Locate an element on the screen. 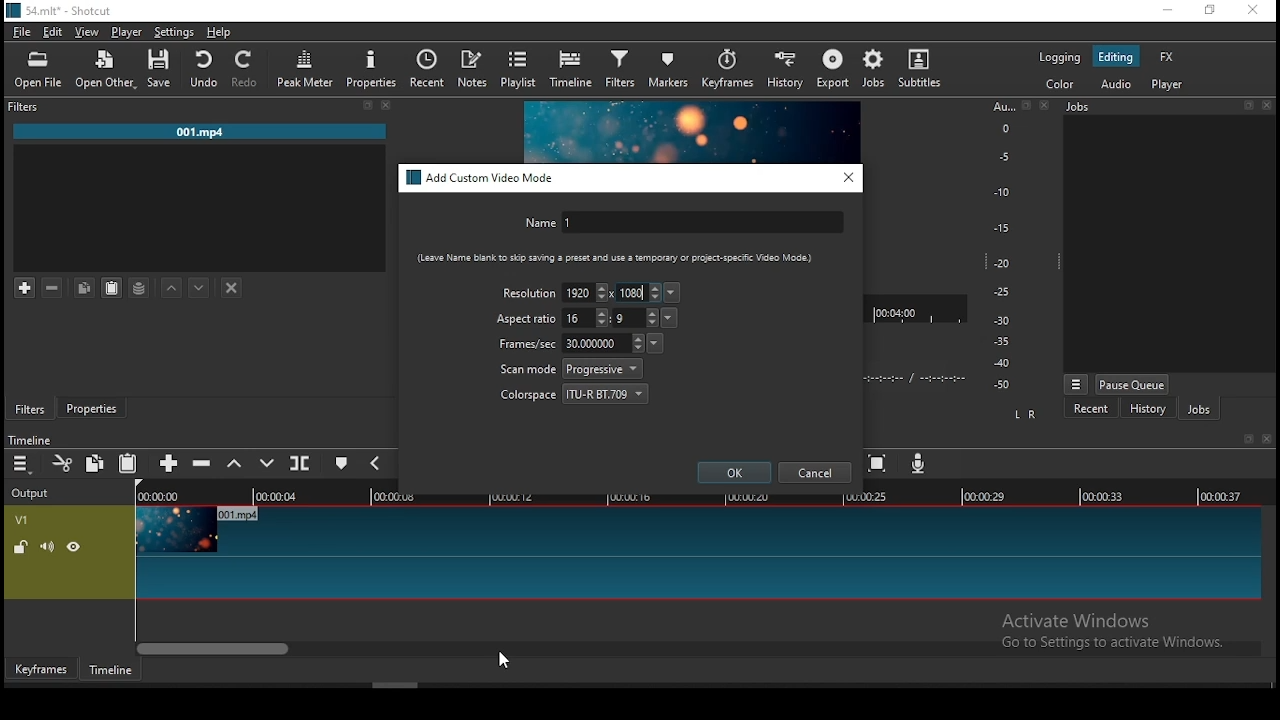 Image resolution: width=1280 pixels, height=720 pixels. icon and file name is located at coordinates (62, 9).